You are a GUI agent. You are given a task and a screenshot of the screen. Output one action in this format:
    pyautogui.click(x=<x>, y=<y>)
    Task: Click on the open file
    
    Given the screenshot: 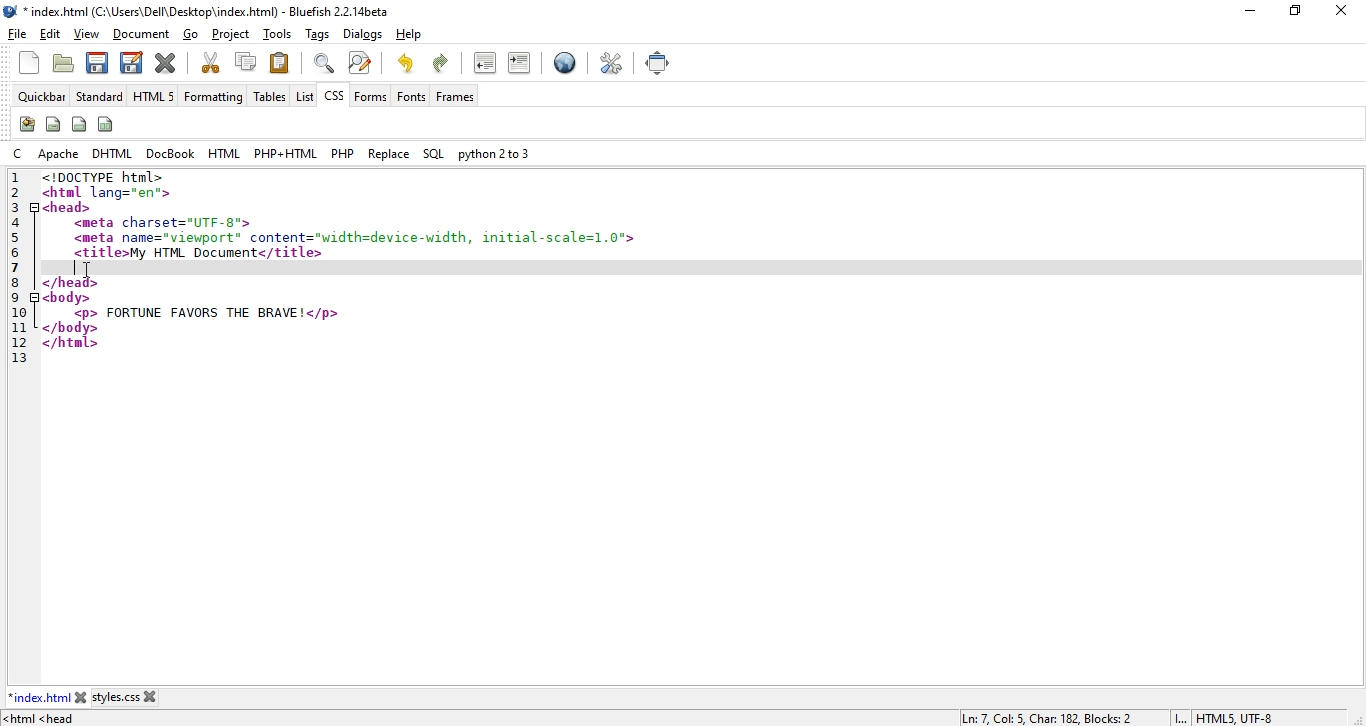 What is the action you would take?
    pyautogui.click(x=62, y=65)
    